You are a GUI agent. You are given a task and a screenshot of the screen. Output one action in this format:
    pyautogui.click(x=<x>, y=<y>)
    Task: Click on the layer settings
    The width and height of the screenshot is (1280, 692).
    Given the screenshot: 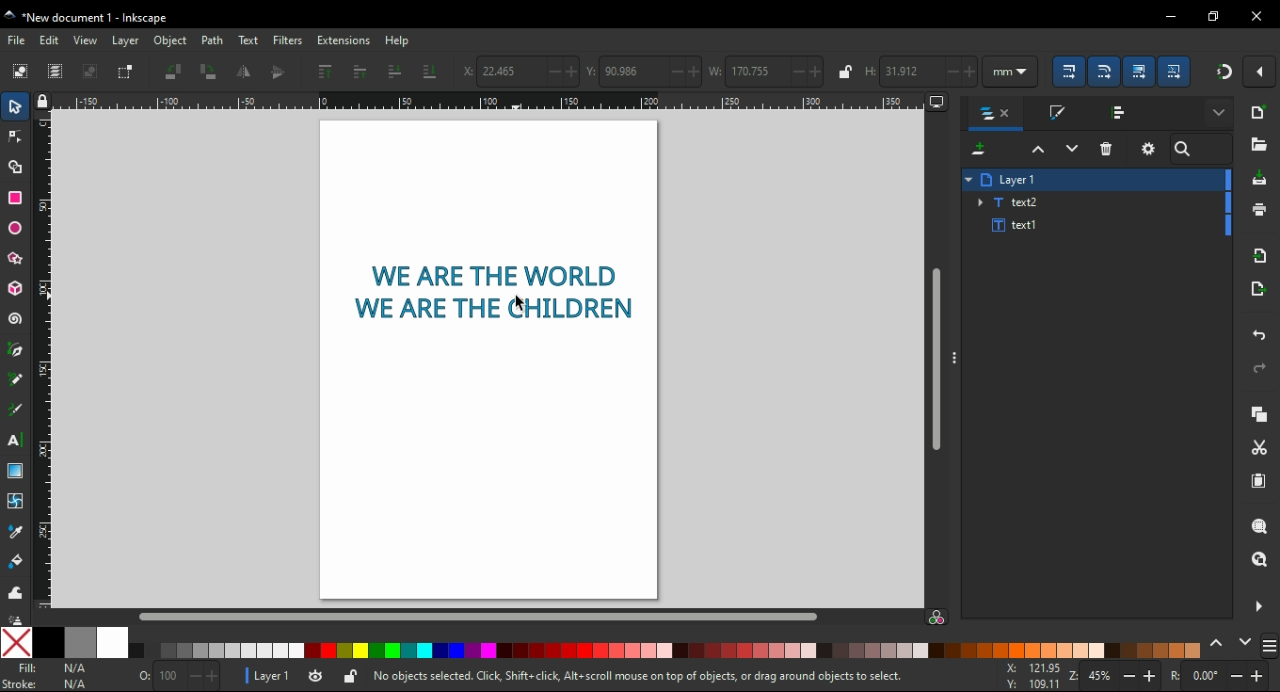 What is the action you would take?
    pyautogui.click(x=1149, y=148)
    